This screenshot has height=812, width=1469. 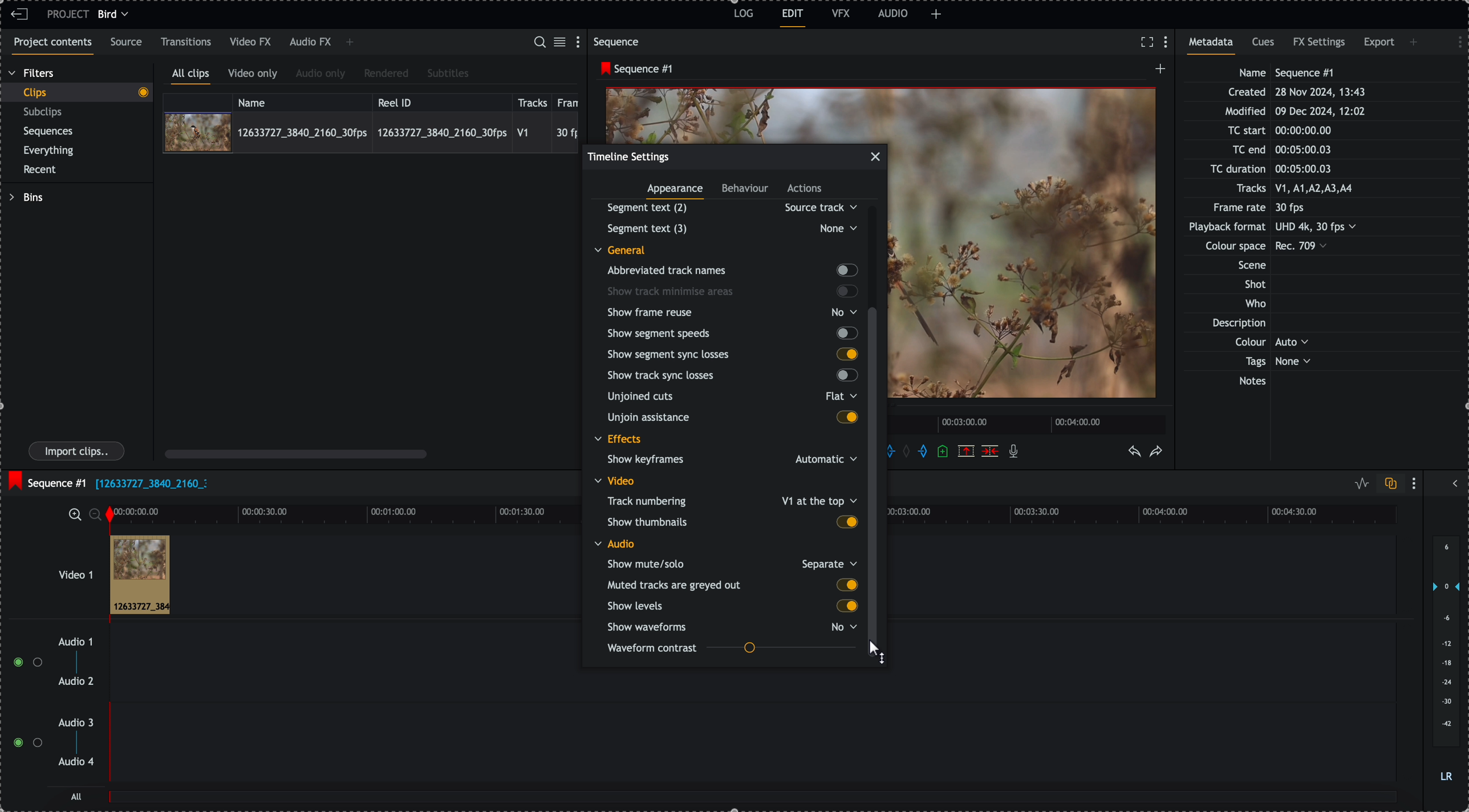 What do you see at coordinates (922, 452) in the screenshot?
I see `add 'out' mark` at bounding box center [922, 452].